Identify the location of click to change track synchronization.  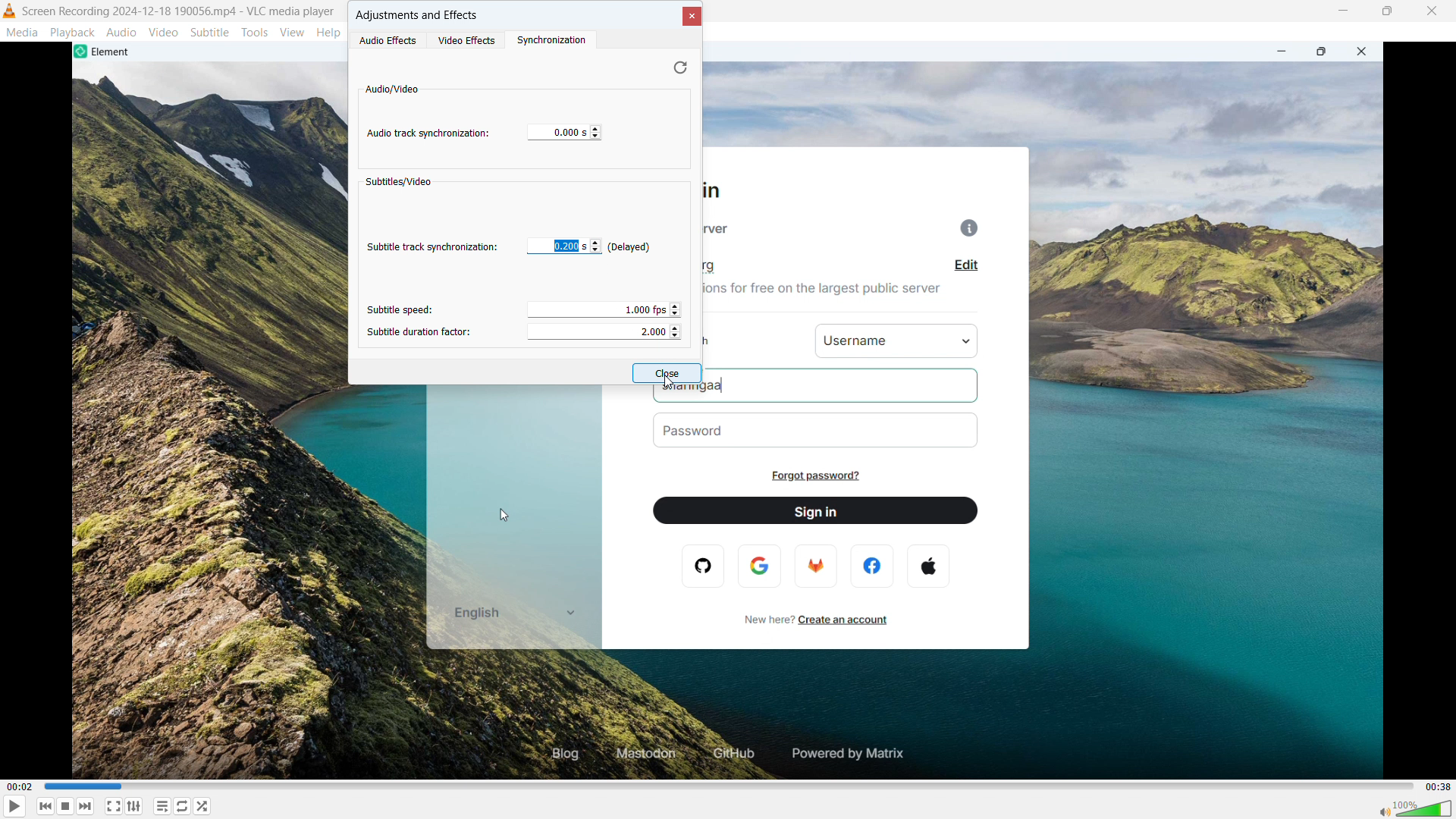
(595, 132).